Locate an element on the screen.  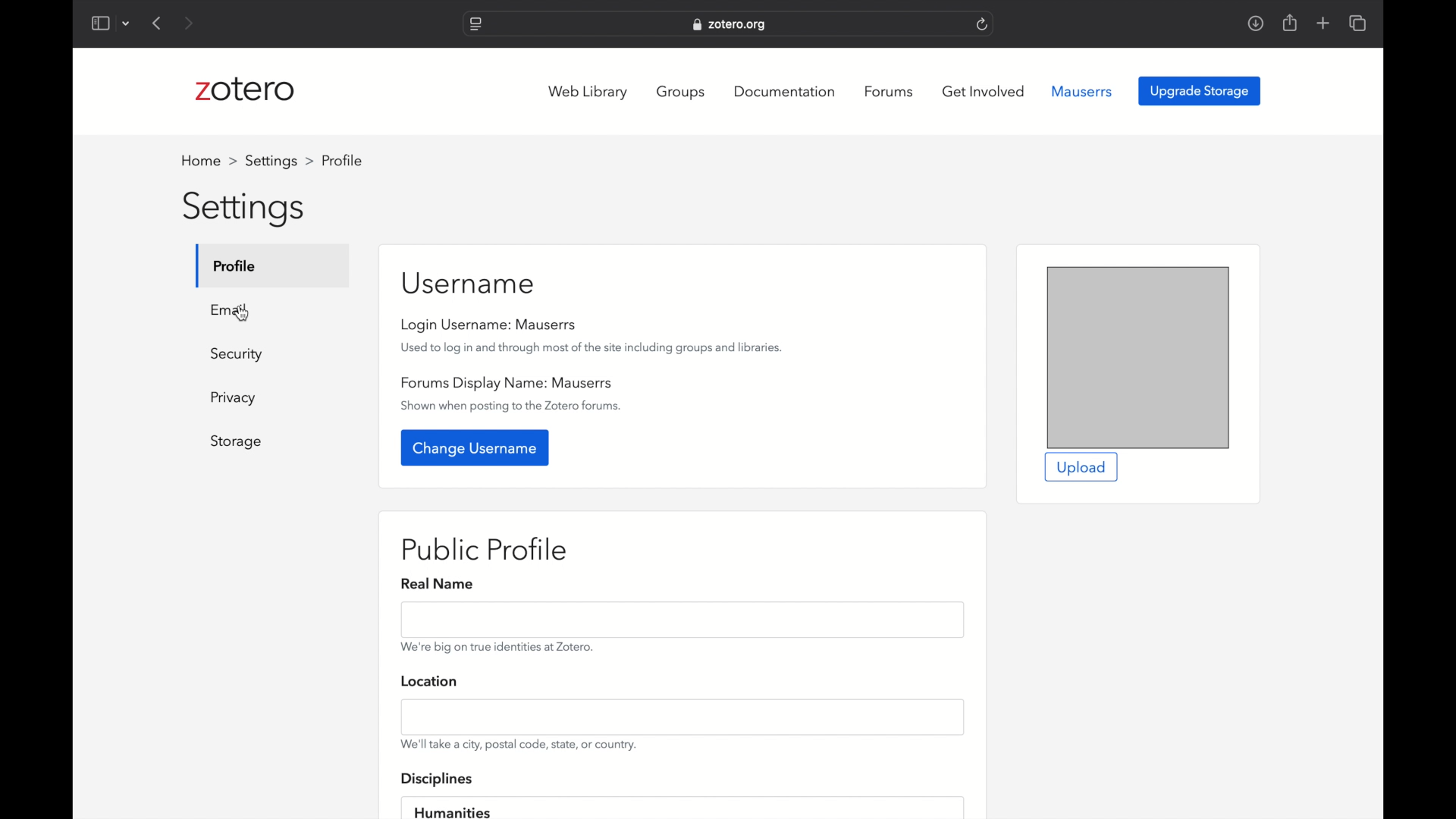
login username: mauserrs is located at coordinates (488, 325).